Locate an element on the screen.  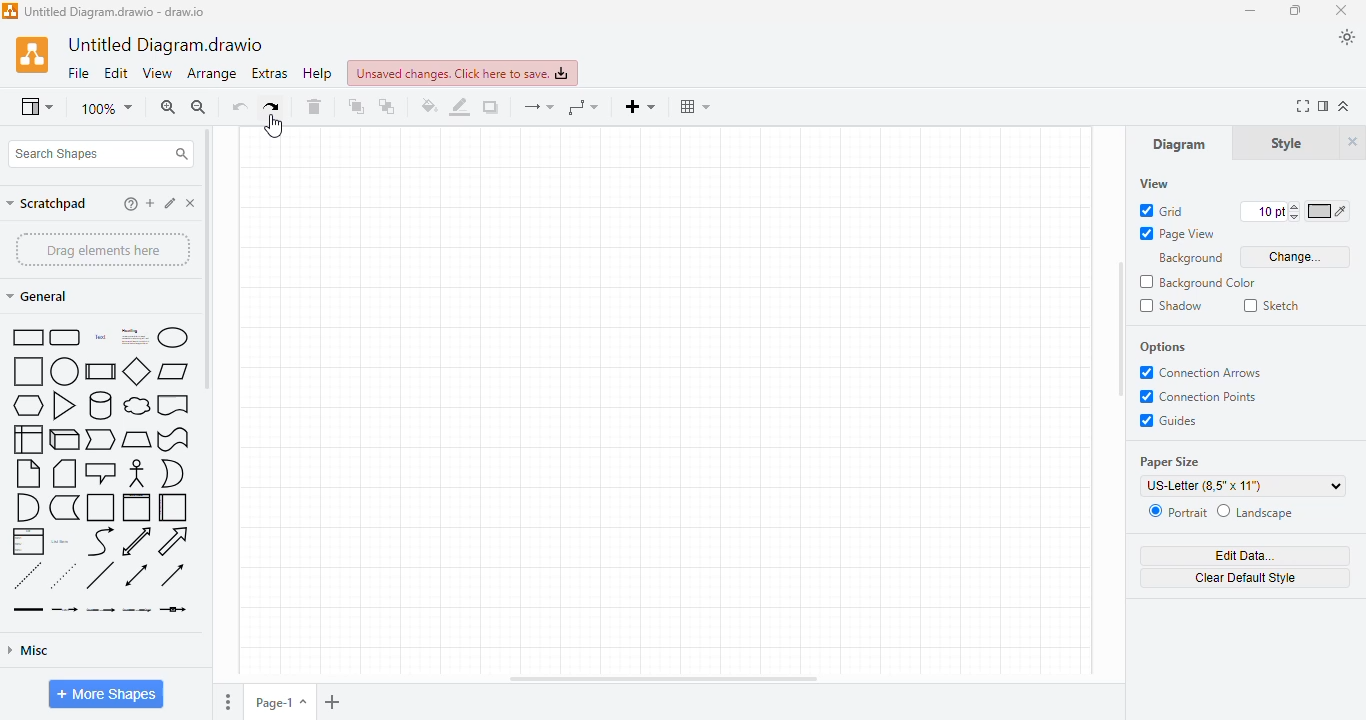
step is located at coordinates (101, 439).